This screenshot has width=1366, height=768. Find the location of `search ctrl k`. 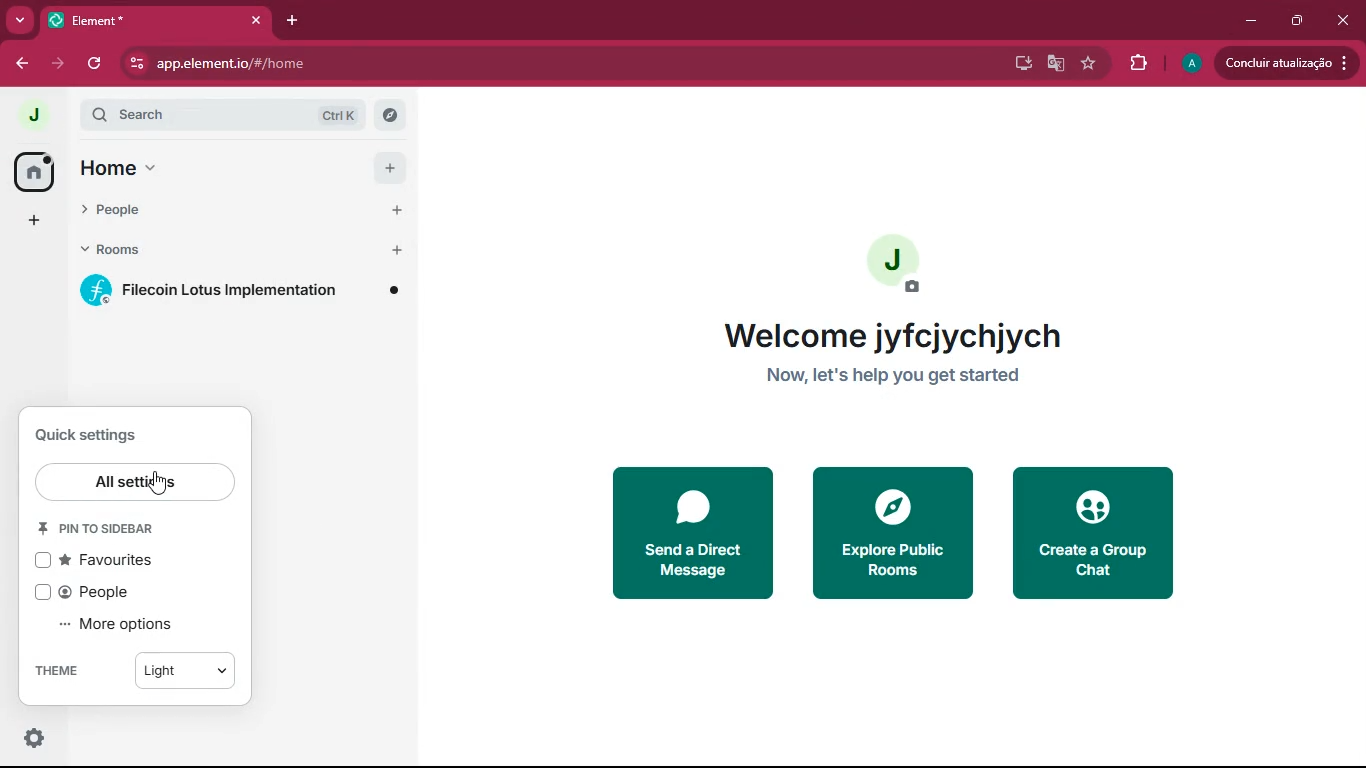

search ctrl k is located at coordinates (229, 114).